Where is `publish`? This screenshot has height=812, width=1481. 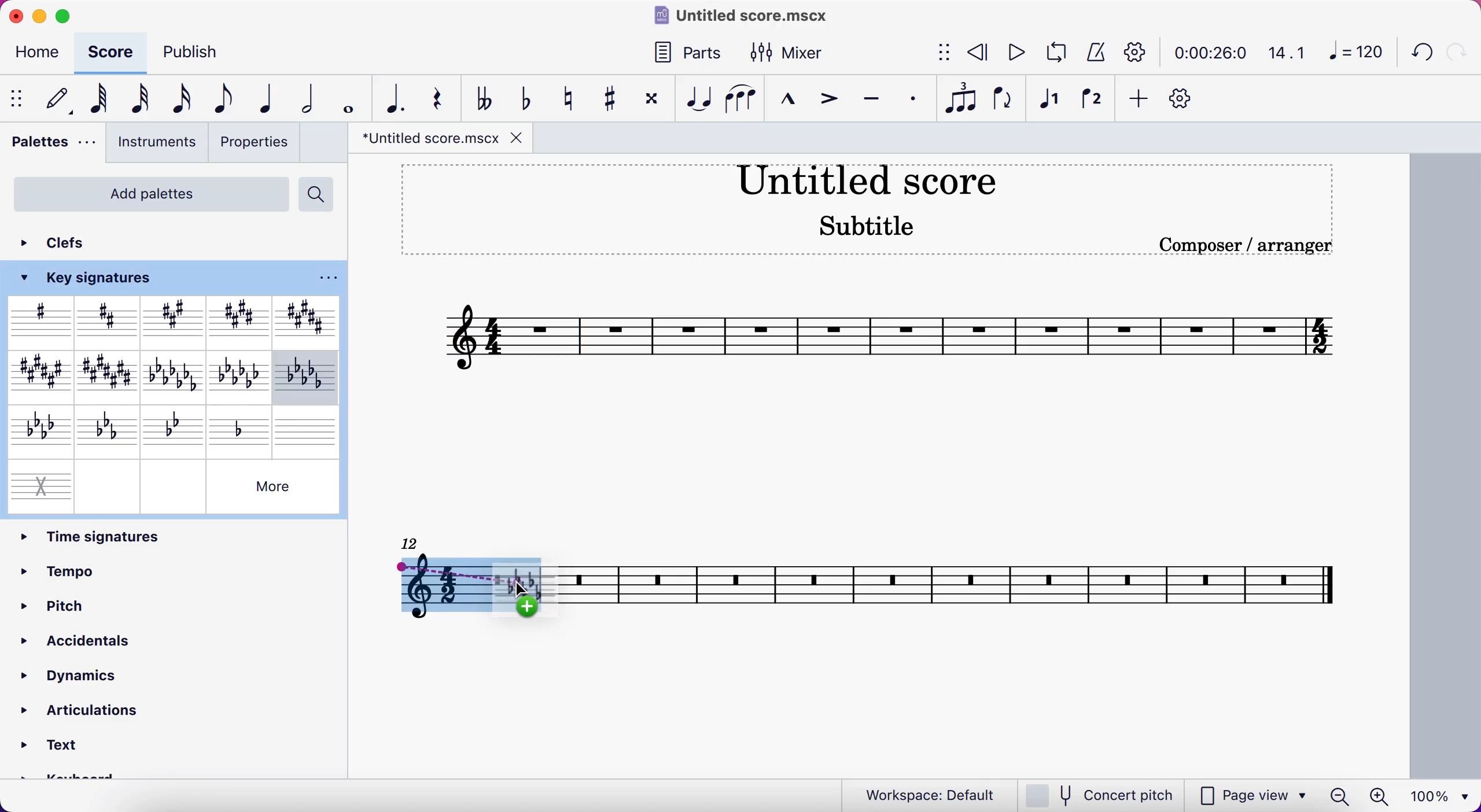
publish is located at coordinates (196, 52).